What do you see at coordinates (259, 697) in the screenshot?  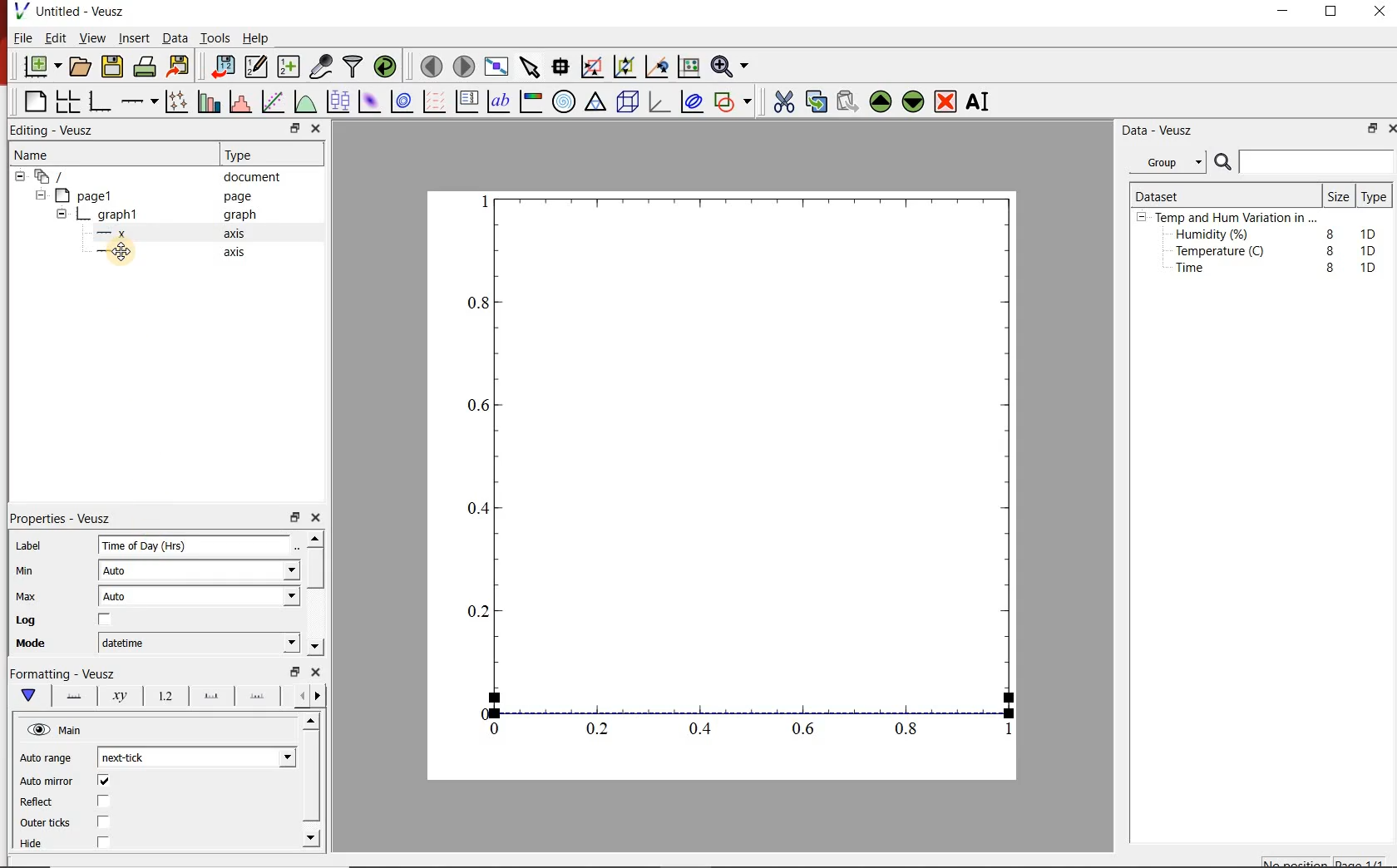 I see `minor ticks` at bounding box center [259, 697].